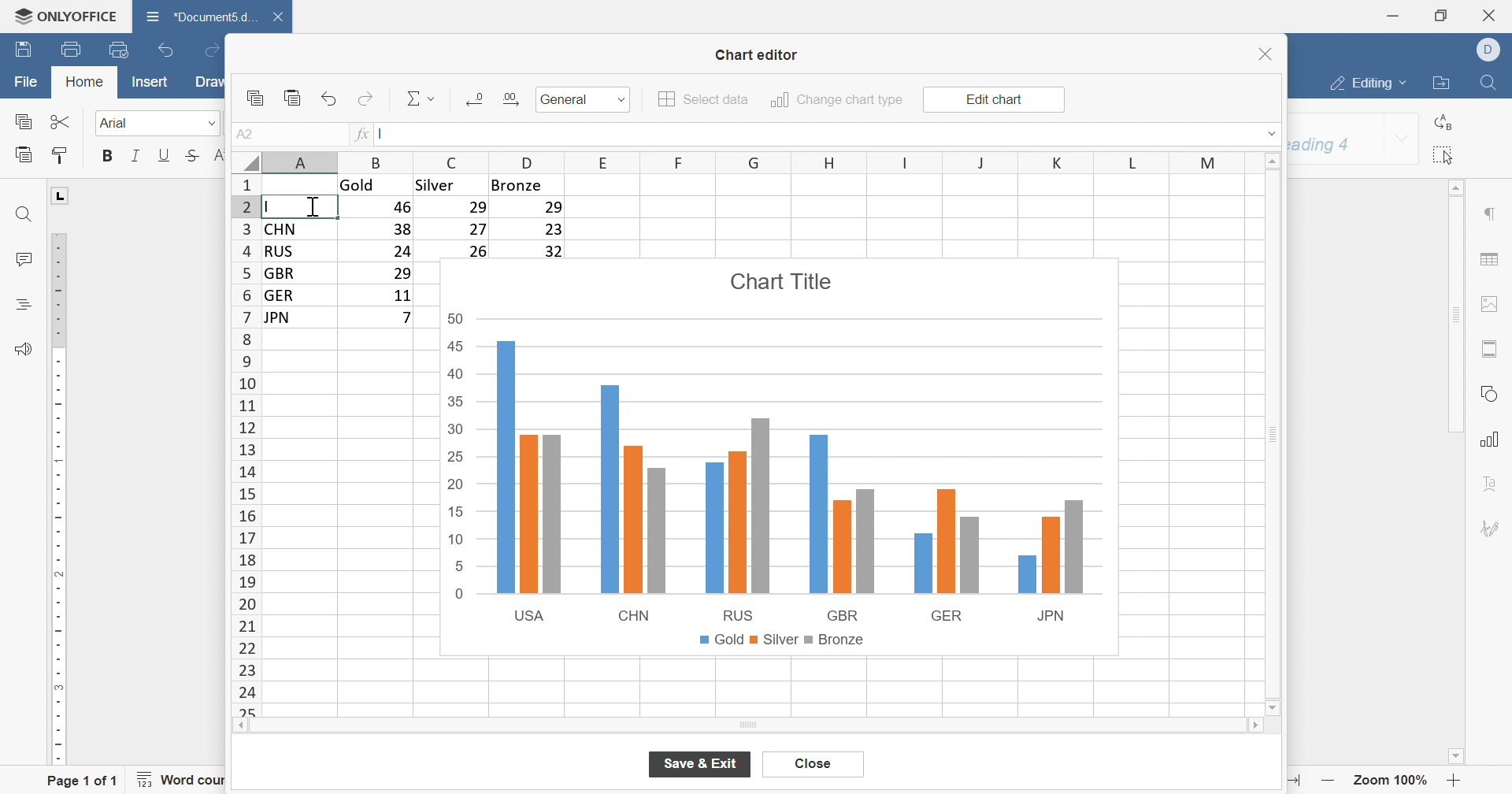 The width and height of the screenshot is (1512, 794). Describe the element at coordinates (24, 350) in the screenshot. I see `feedback & support` at that location.